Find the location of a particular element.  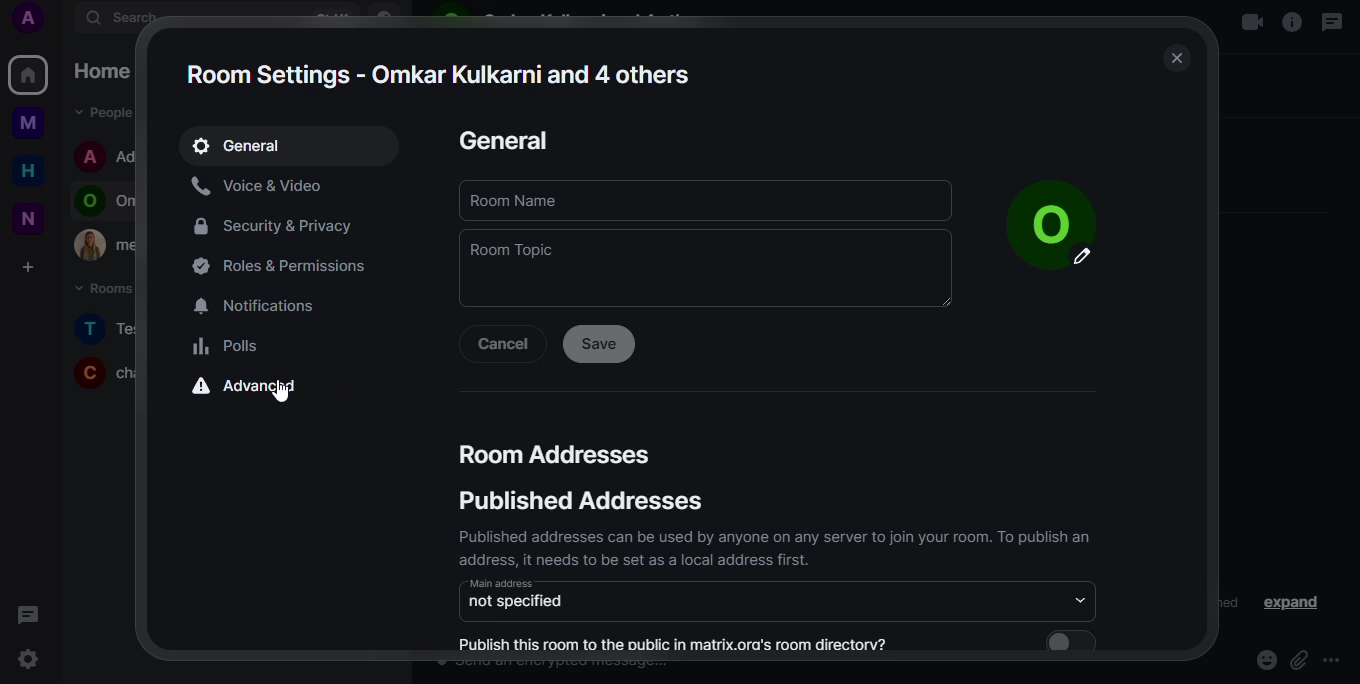

create space is located at coordinates (32, 267).